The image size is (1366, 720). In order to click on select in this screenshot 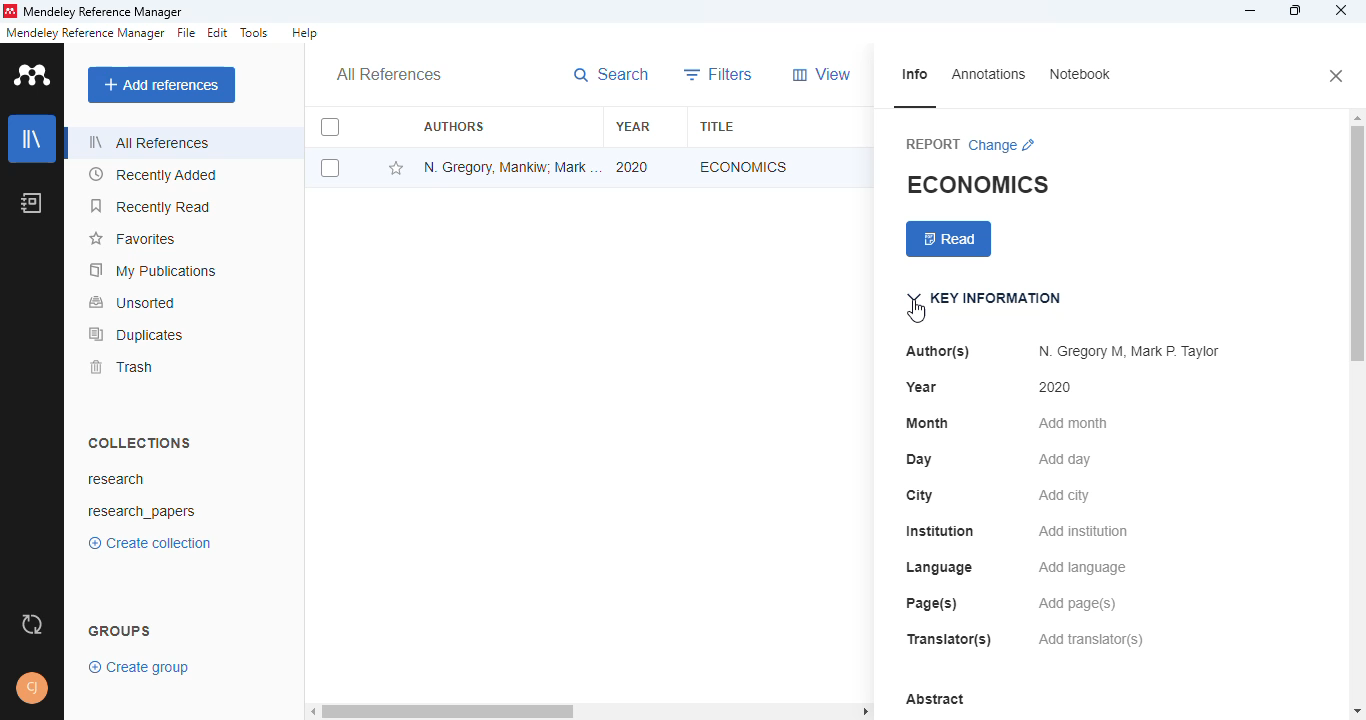, I will do `click(330, 128)`.